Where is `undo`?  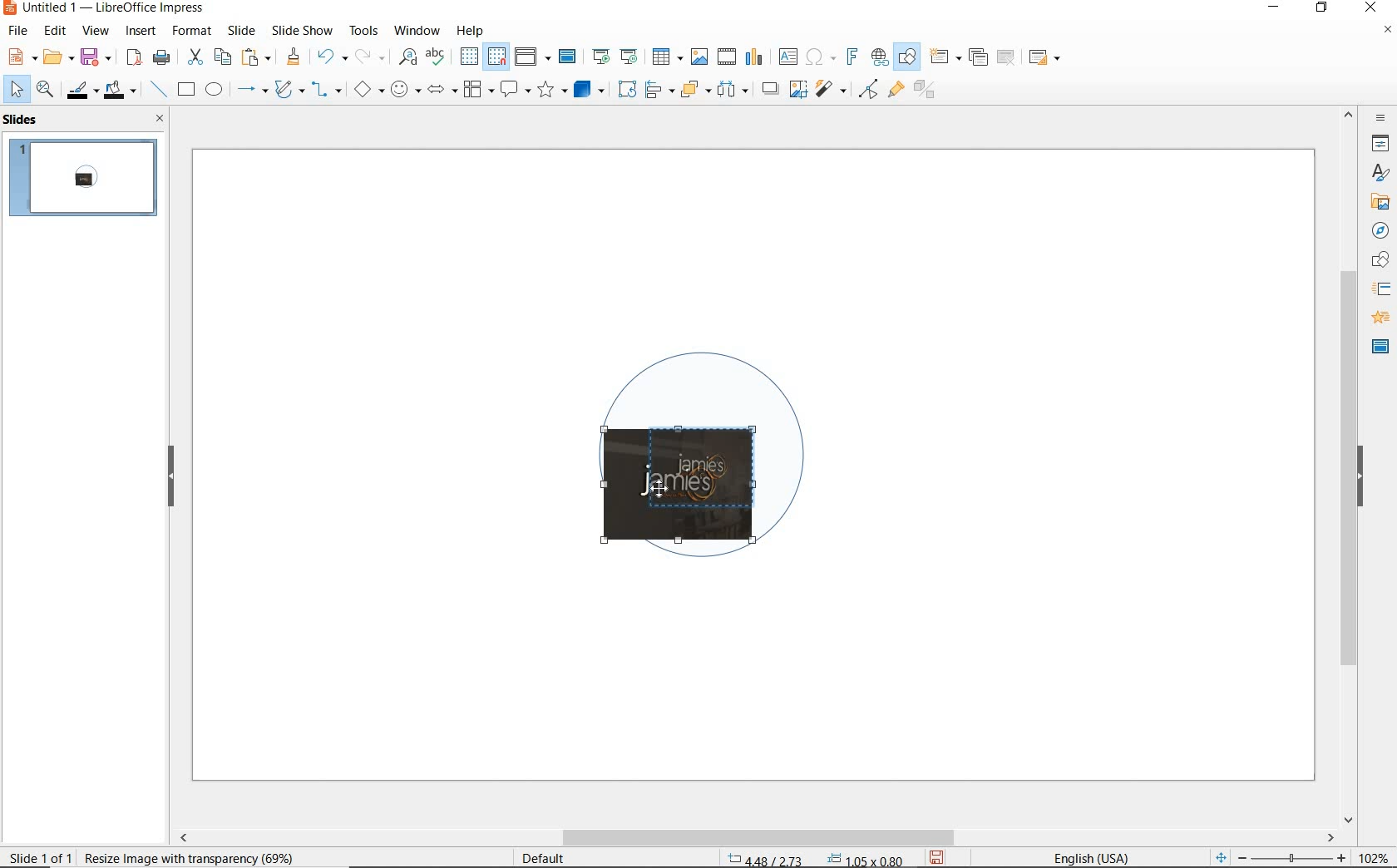
undo is located at coordinates (329, 58).